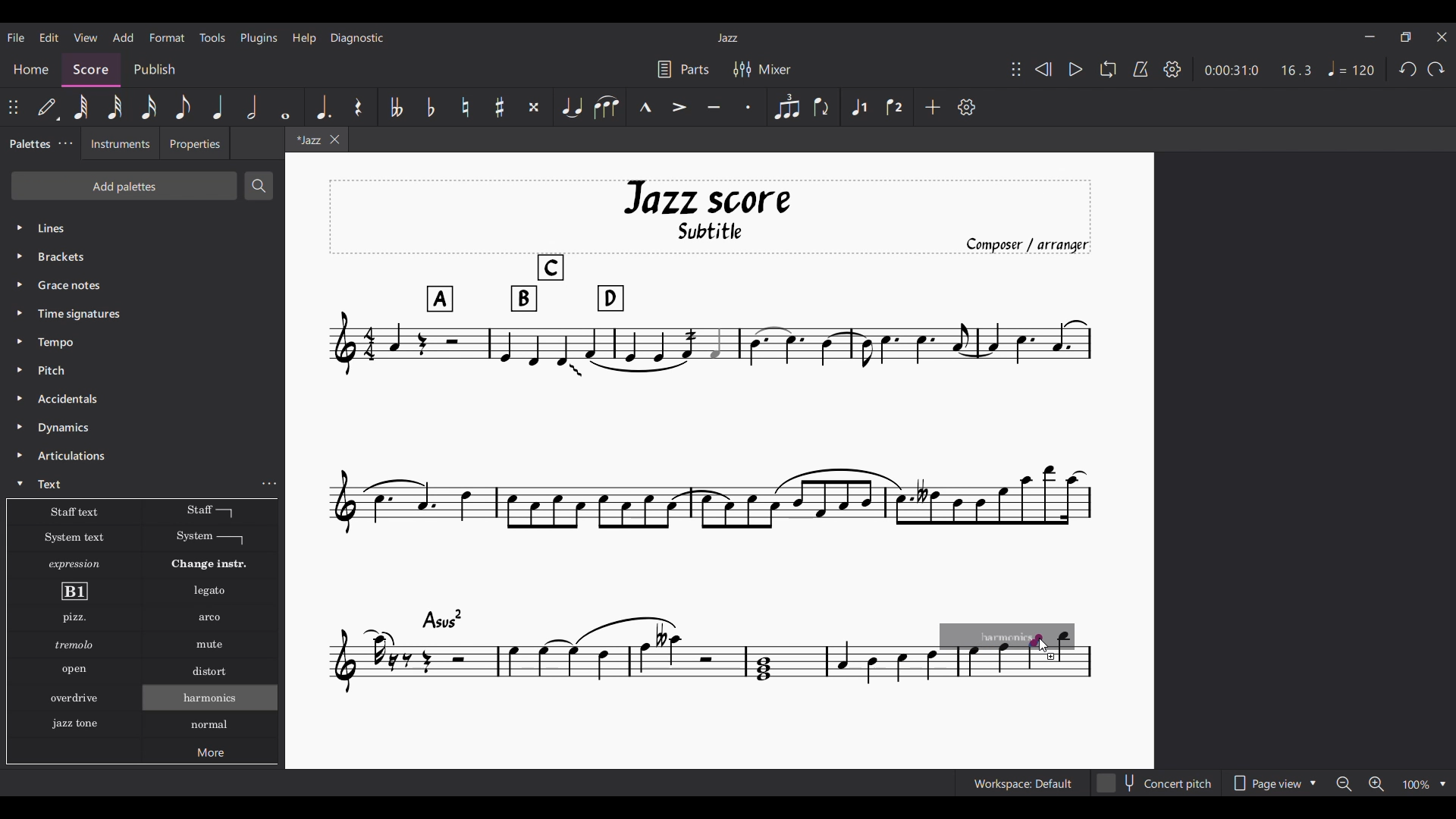  Describe the element at coordinates (858, 107) in the screenshot. I see `Voice 1` at that location.